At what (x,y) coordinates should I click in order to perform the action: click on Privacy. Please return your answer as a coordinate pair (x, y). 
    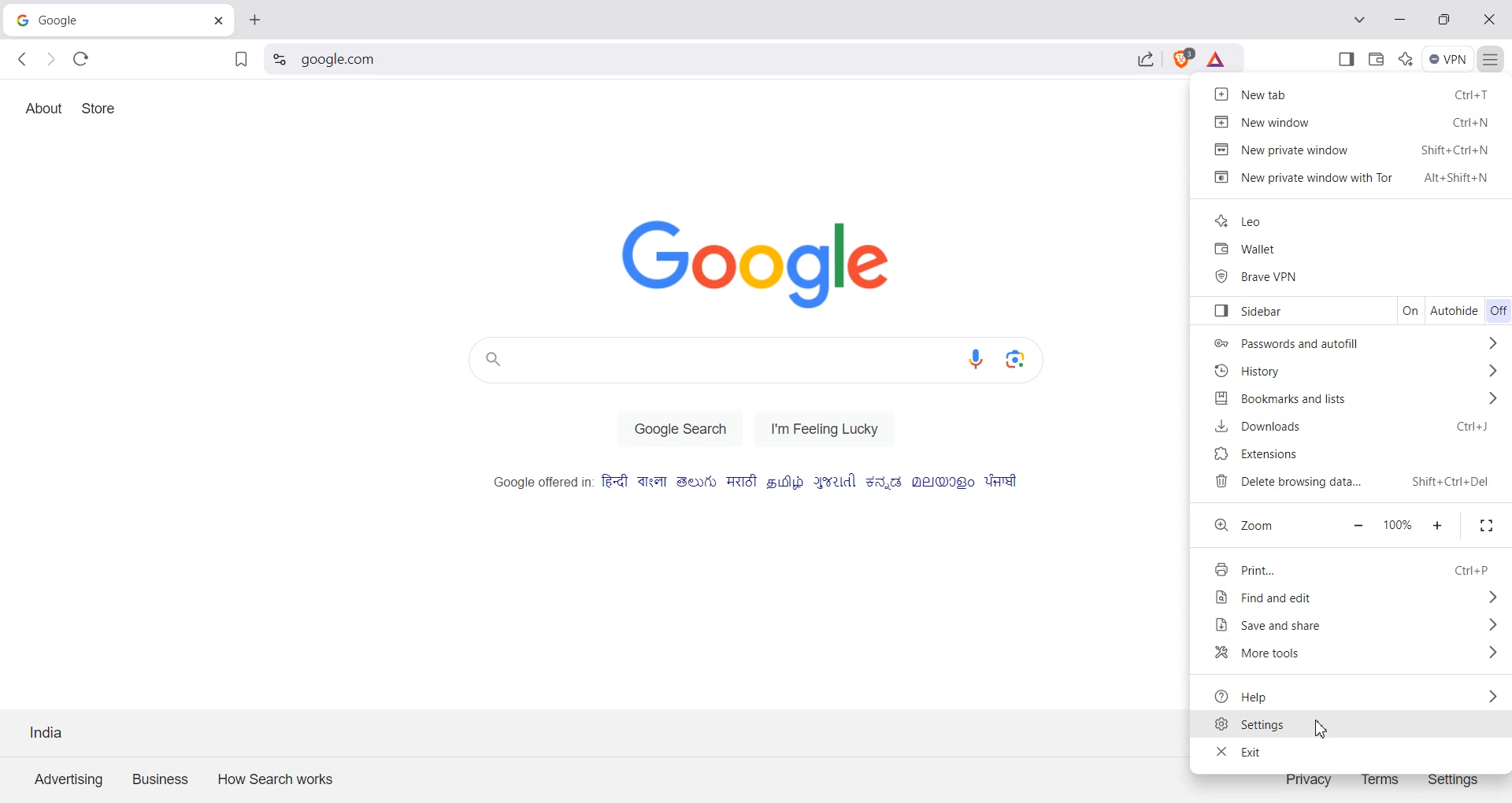
    Looking at the image, I should click on (1309, 778).